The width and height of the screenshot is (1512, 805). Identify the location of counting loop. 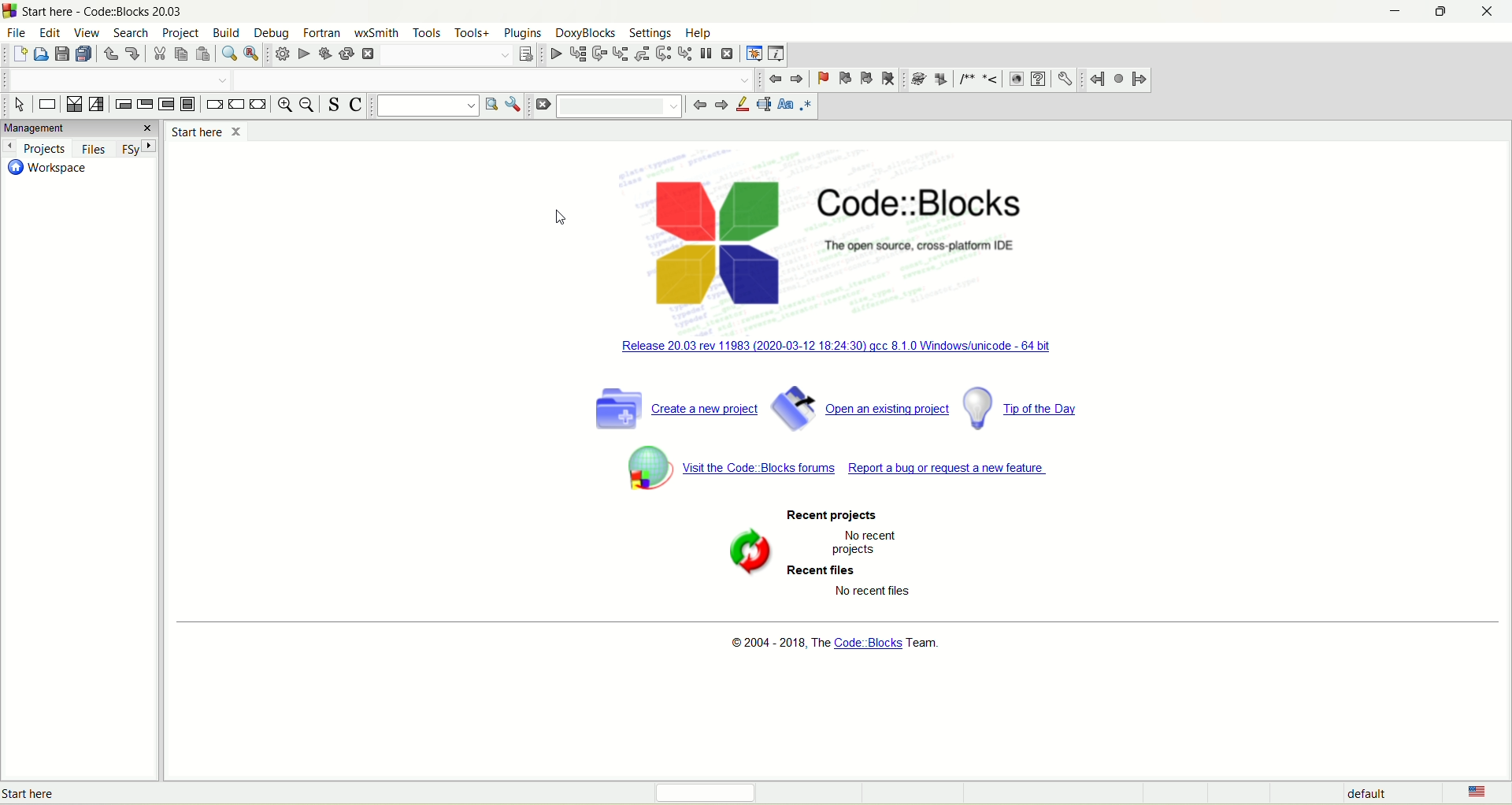
(165, 105).